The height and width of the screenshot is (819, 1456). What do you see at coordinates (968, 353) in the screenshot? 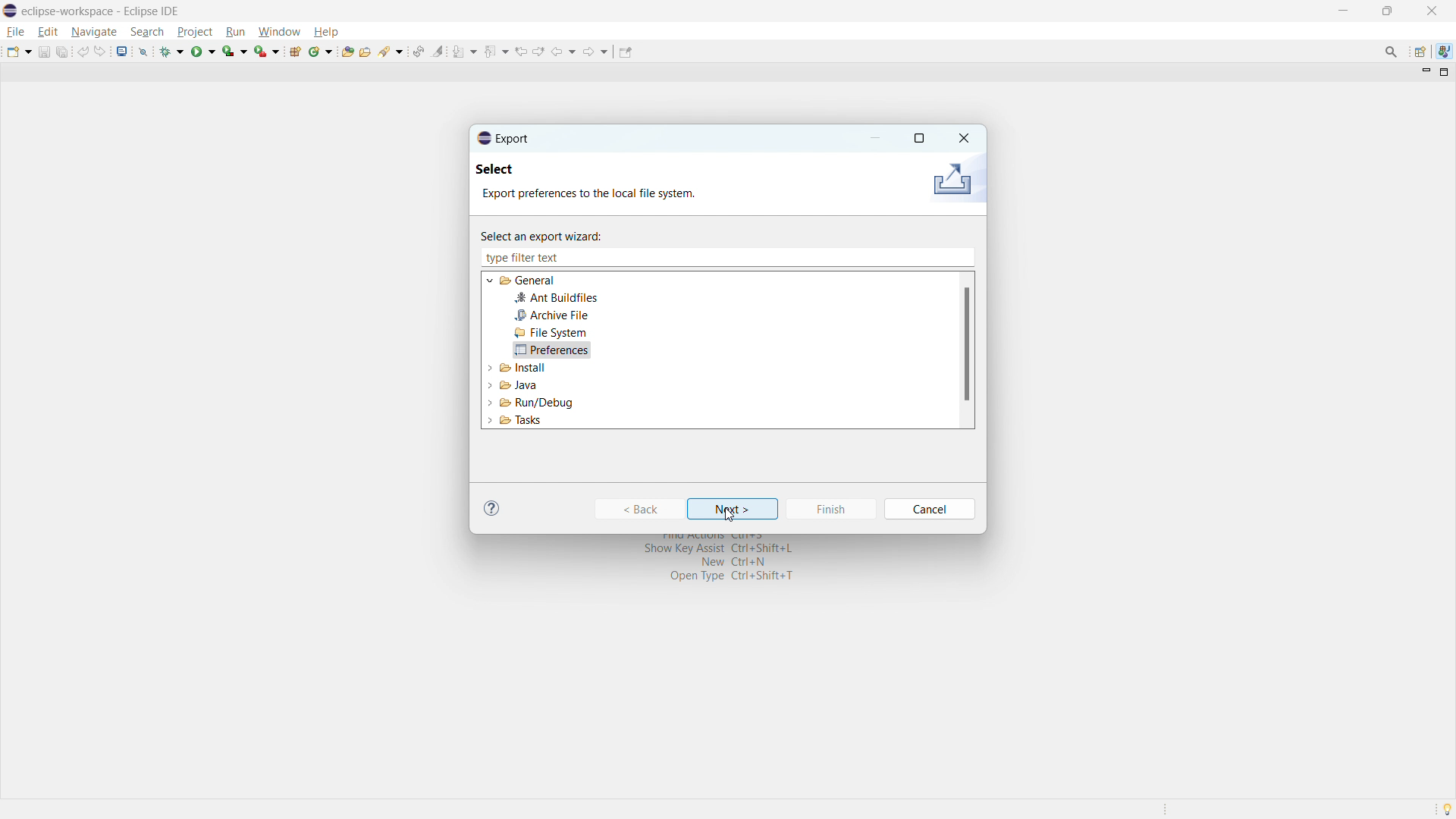
I see `Vertical scroll bar` at bounding box center [968, 353].